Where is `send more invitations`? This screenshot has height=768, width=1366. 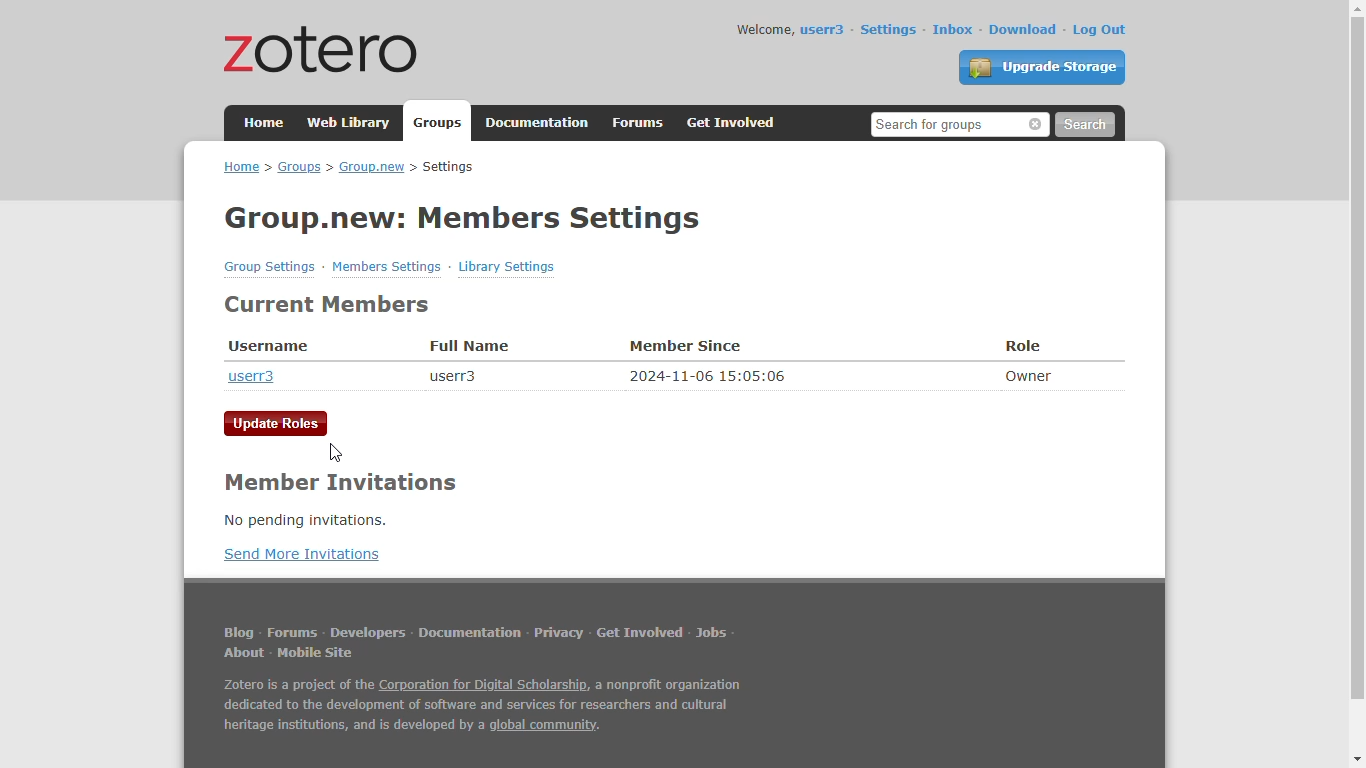
send more invitations is located at coordinates (301, 554).